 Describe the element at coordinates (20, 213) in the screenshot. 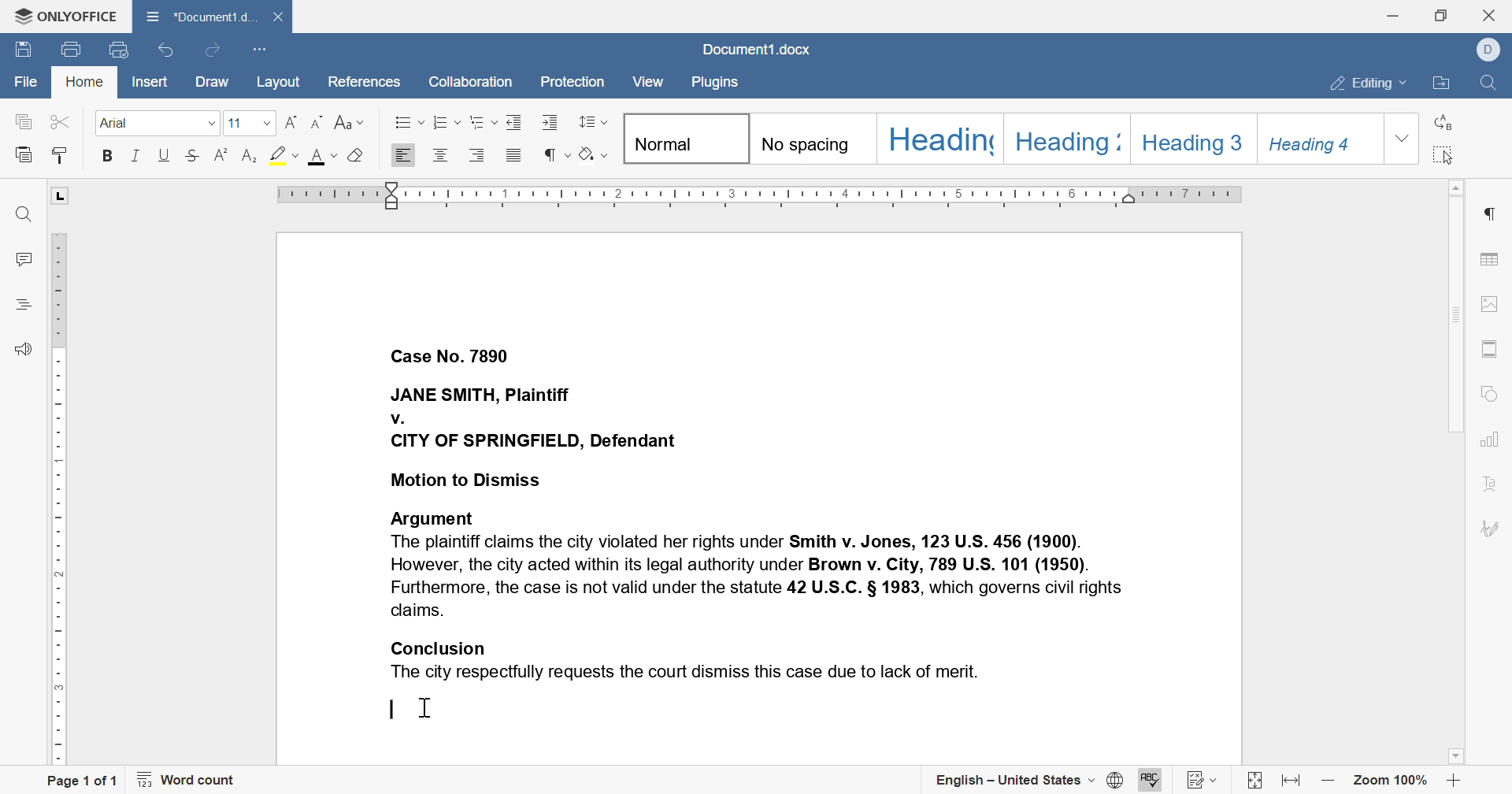

I see `find` at that location.